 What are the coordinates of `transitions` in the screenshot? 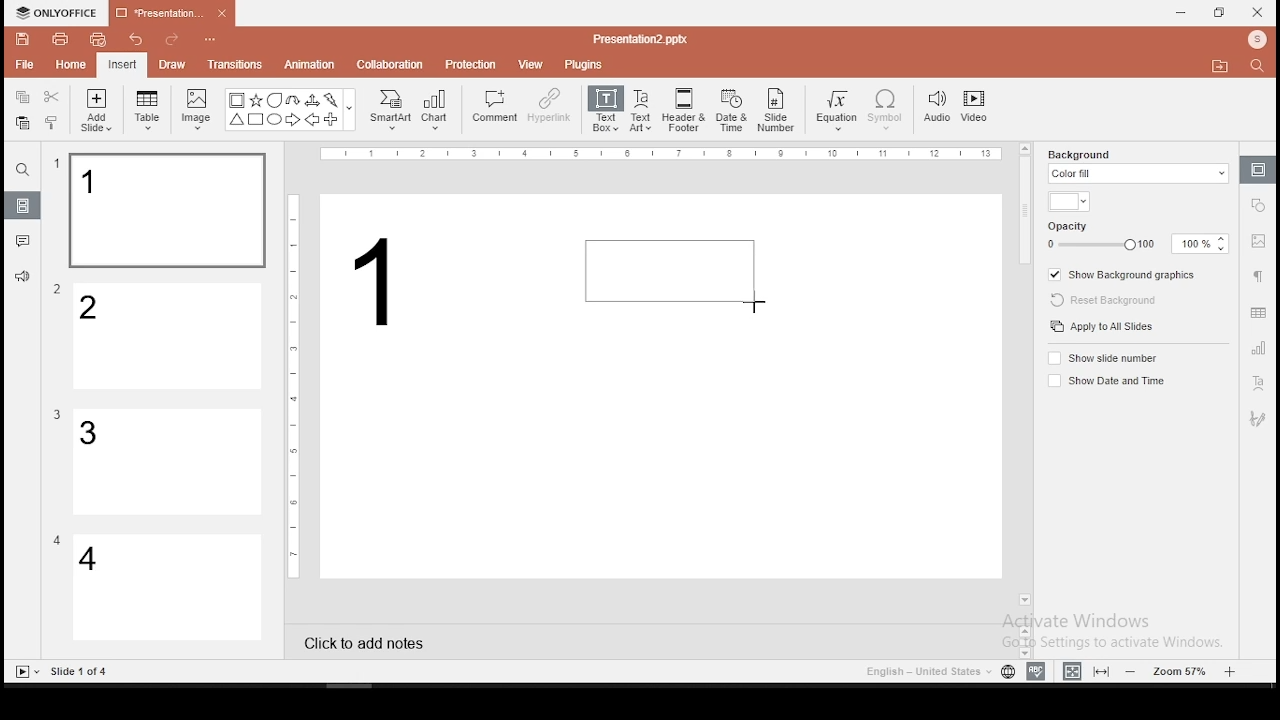 It's located at (234, 64).